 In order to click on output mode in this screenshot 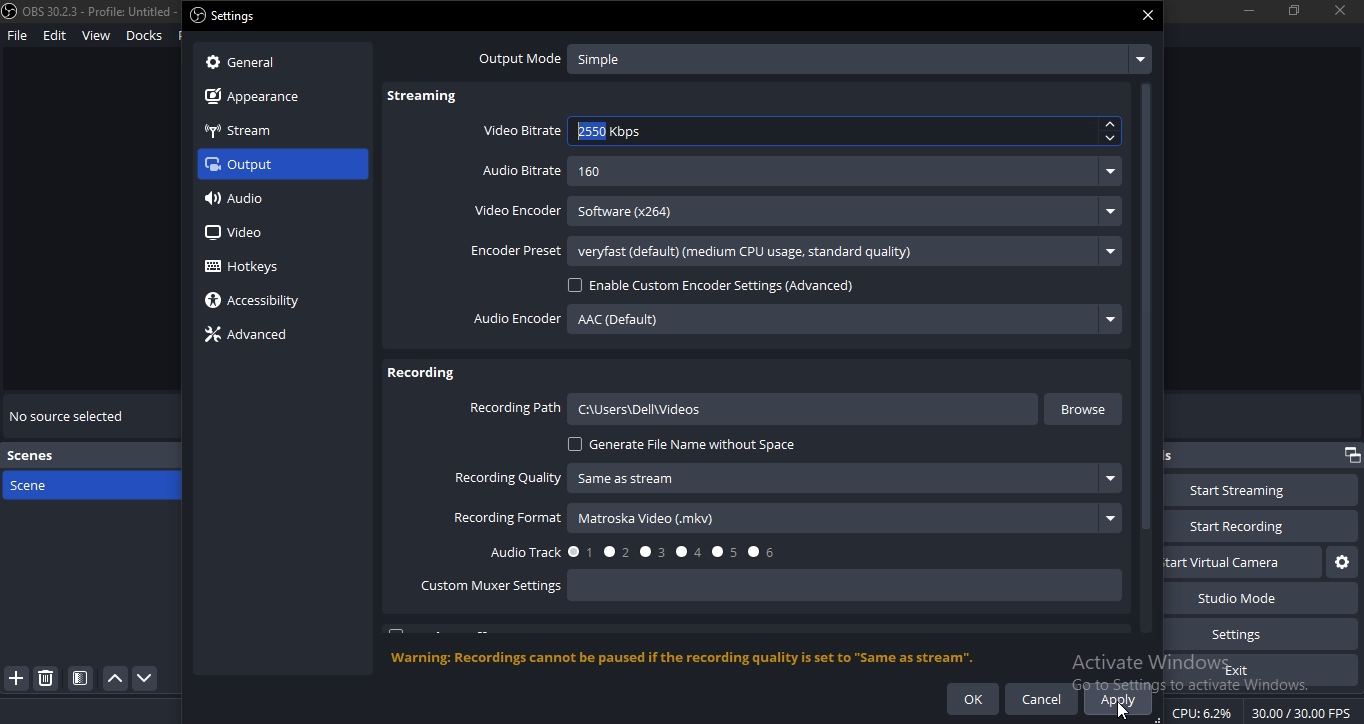, I will do `click(812, 58)`.